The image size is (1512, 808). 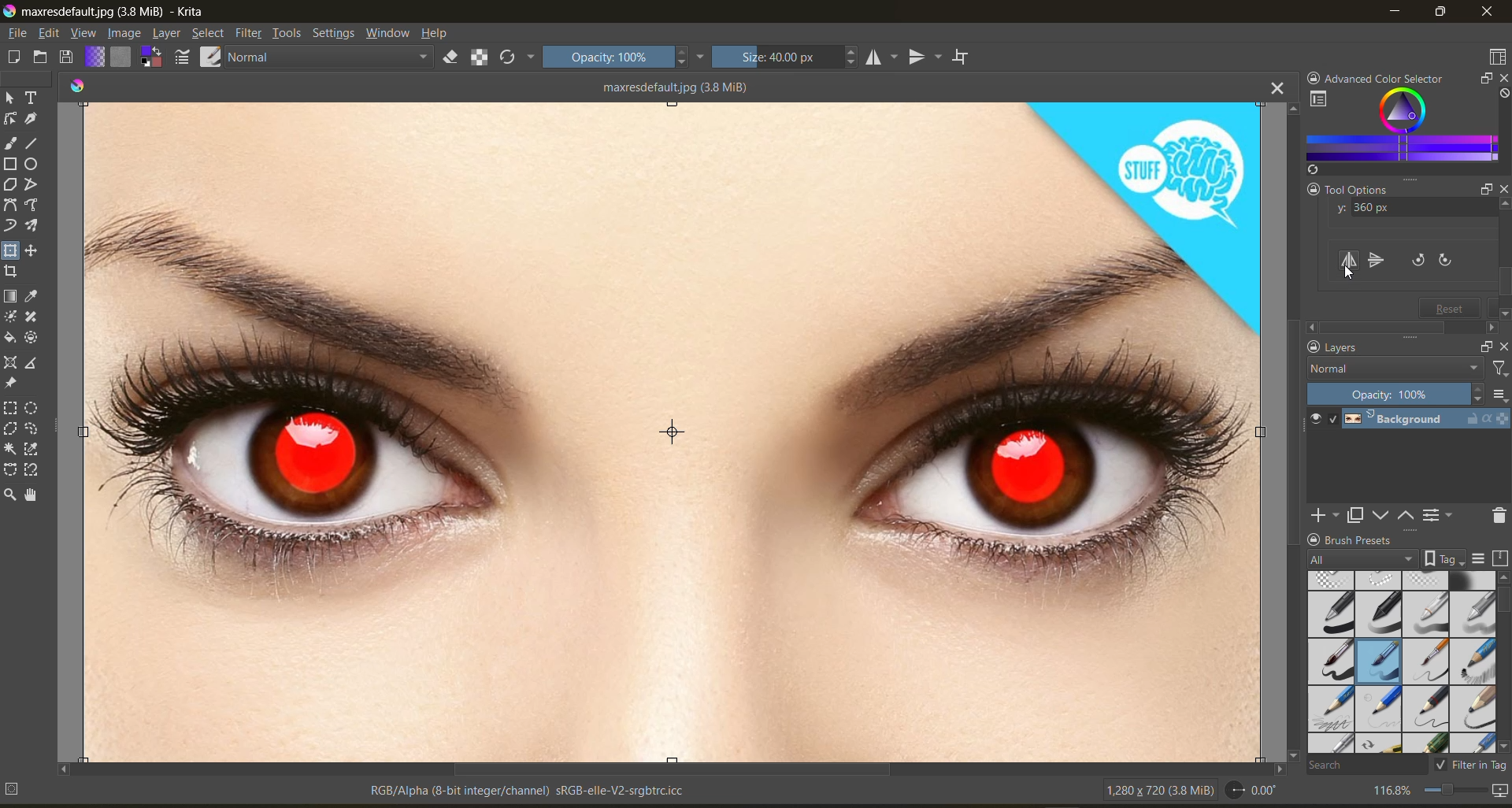 I want to click on lock docker, so click(x=1311, y=75).